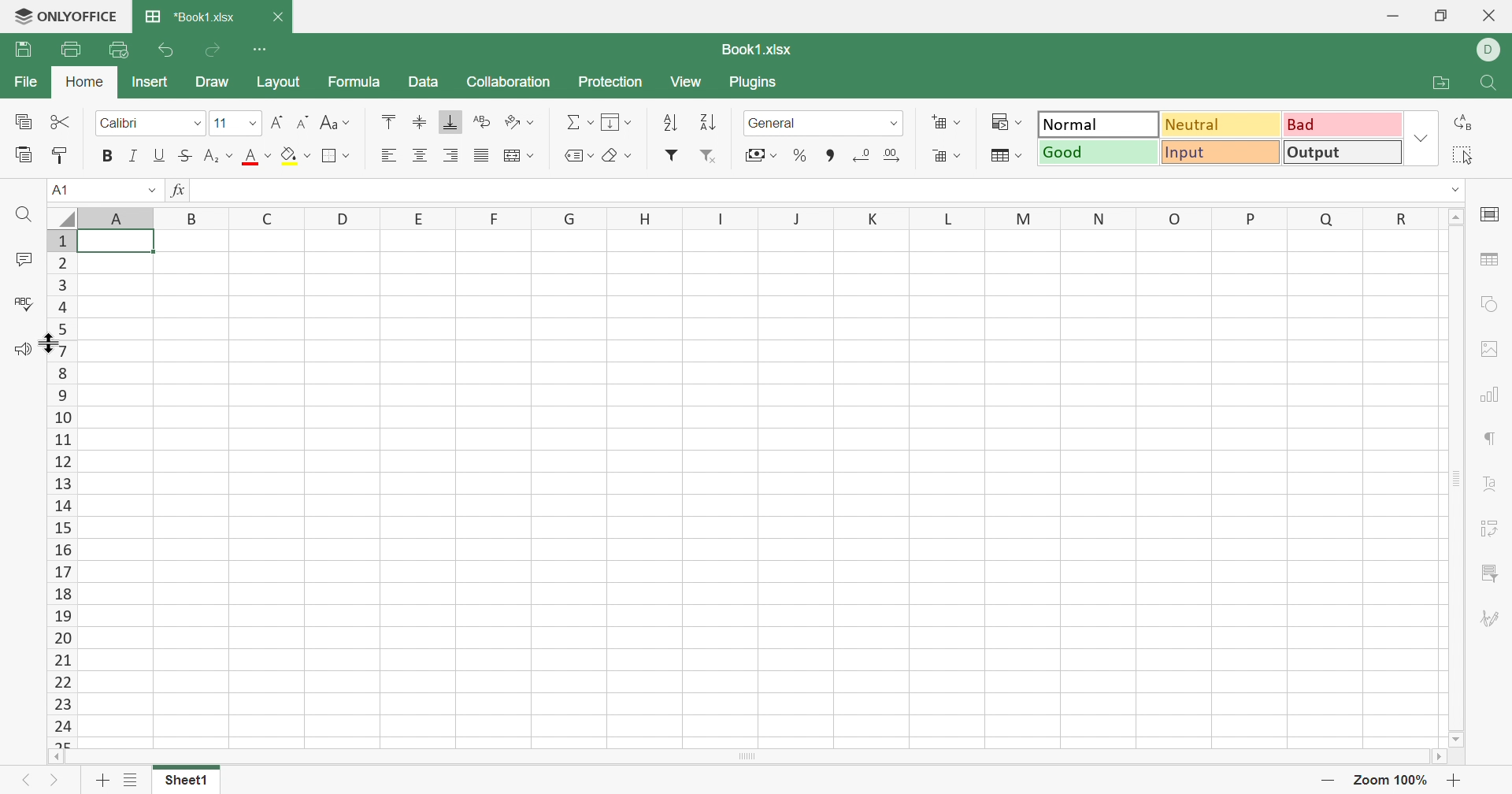 This screenshot has width=1512, height=794. Describe the element at coordinates (133, 780) in the screenshot. I see `List of Sheets` at that location.